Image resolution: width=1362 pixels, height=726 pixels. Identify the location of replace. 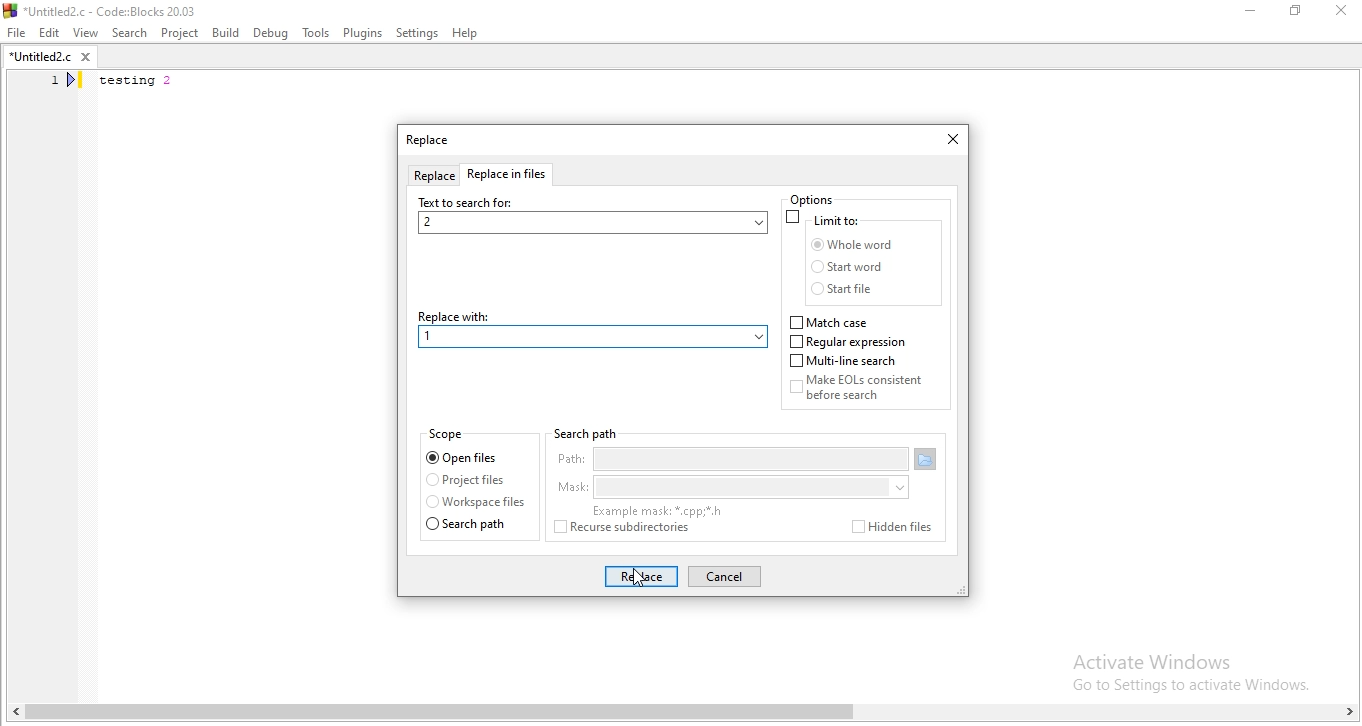
(433, 177).